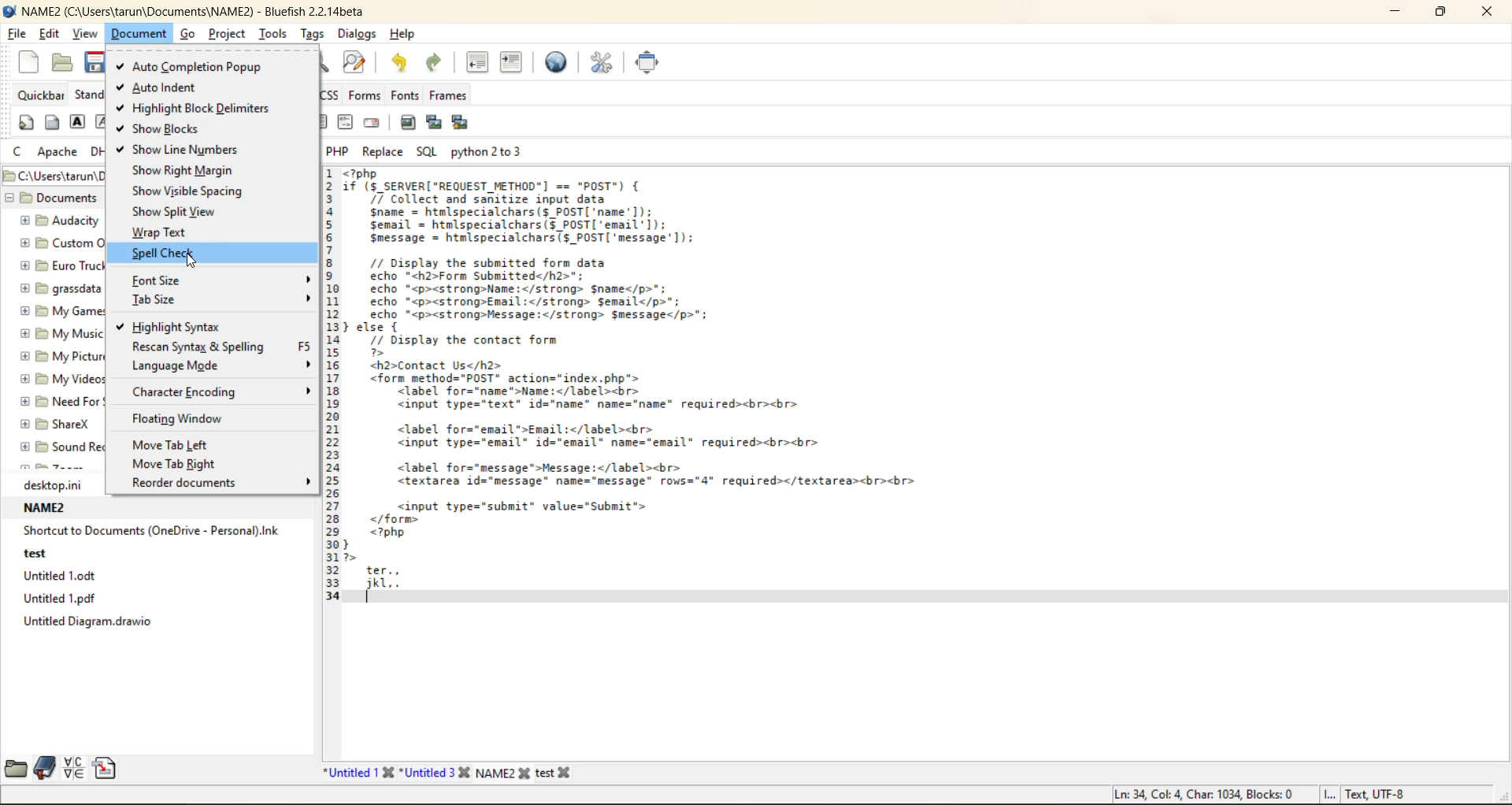 This screenshot has width=1512, height=805. Describe the element at coordinates (433, 122) in the screenshot. I see `insert thumbnail` at that location.